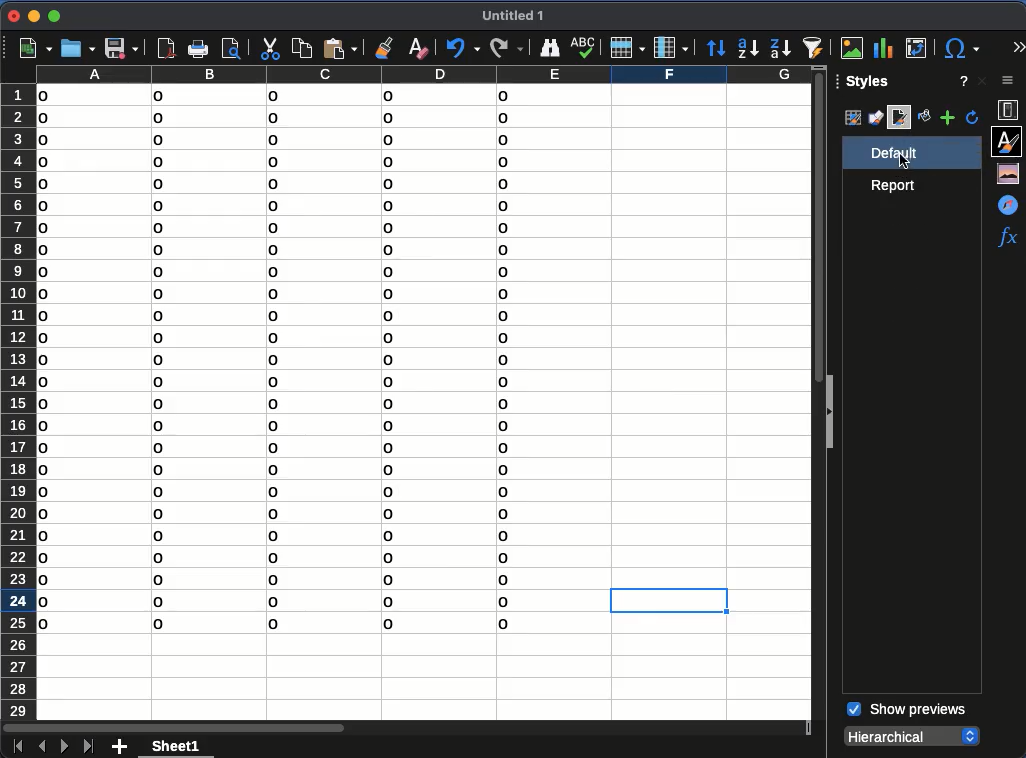 The height and width of the screenshot is (758, 1026). Describe the element at coordinates (628, 48) in the screenshot. I see `row` at that location.